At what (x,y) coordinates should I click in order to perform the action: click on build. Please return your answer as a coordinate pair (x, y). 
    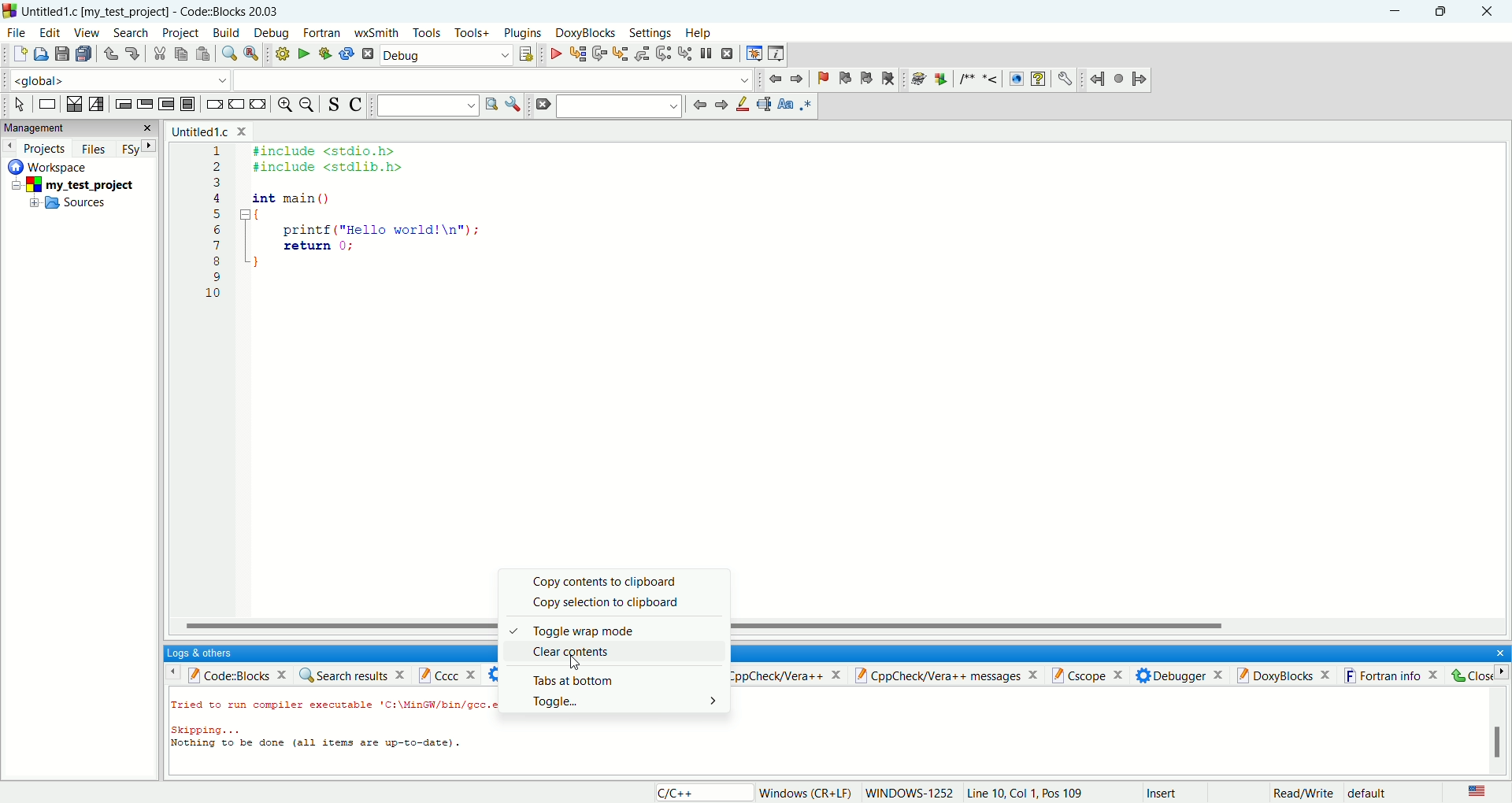
    Looking at the image, I should click on (280, 54).